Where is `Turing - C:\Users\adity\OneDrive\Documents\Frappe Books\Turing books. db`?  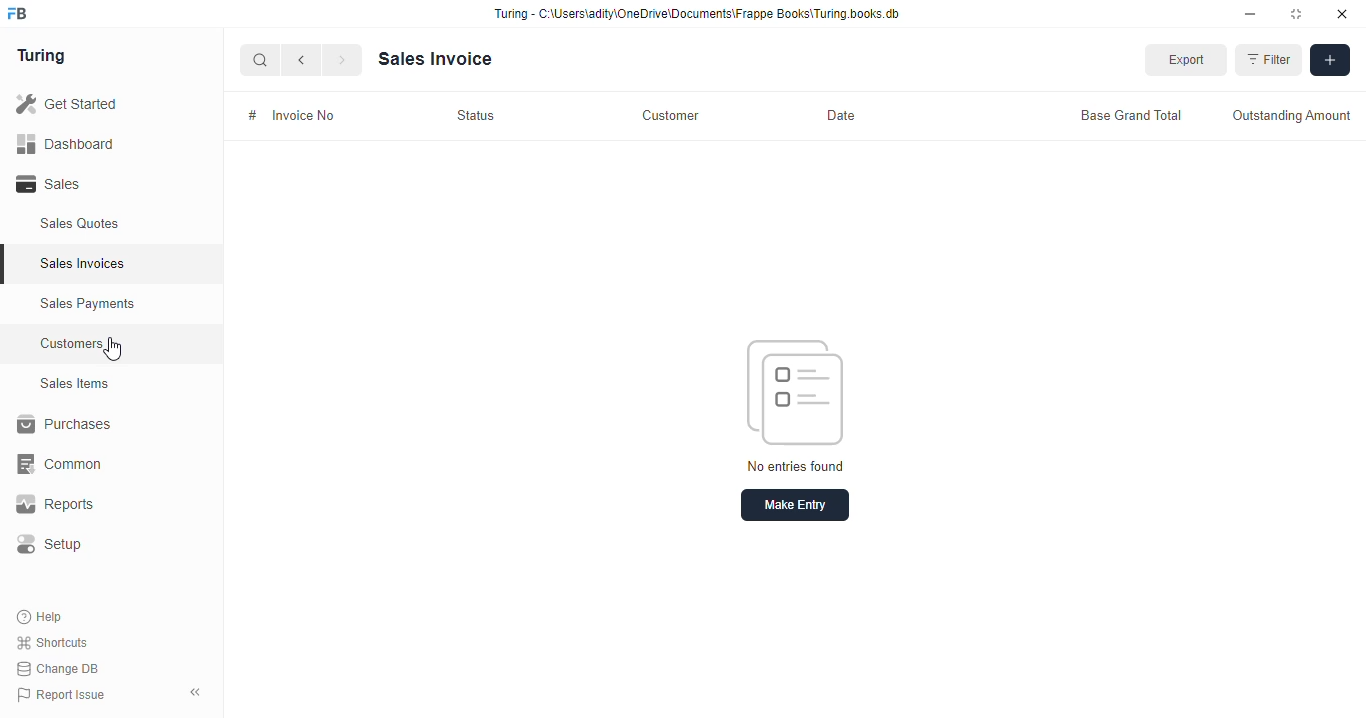 Turing - C:\Users\adity\OneDrive\Documents\Frappe Books\Turing books. db is located at coordinates (703, 16).